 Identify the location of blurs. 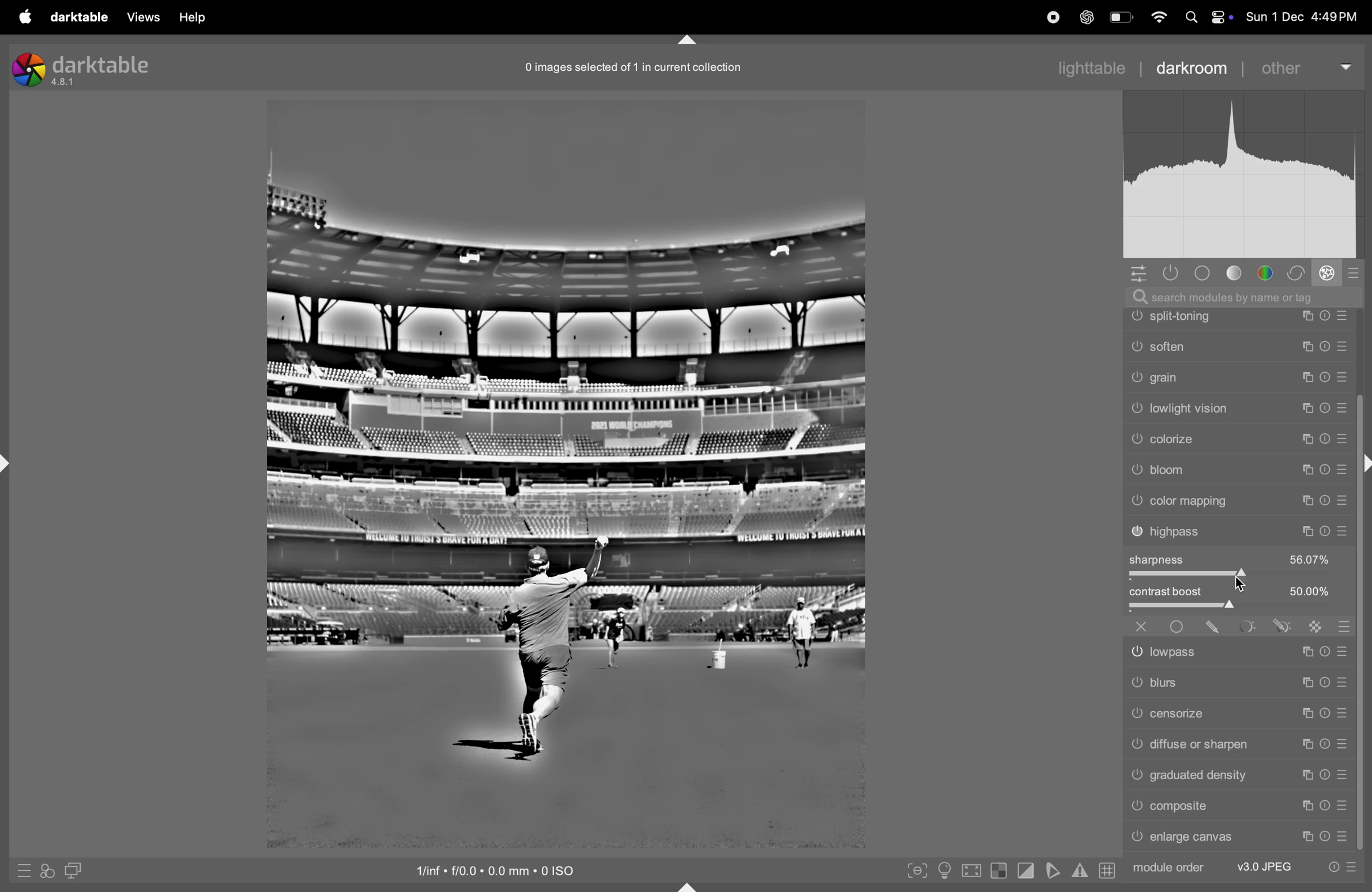
(1237, 682).